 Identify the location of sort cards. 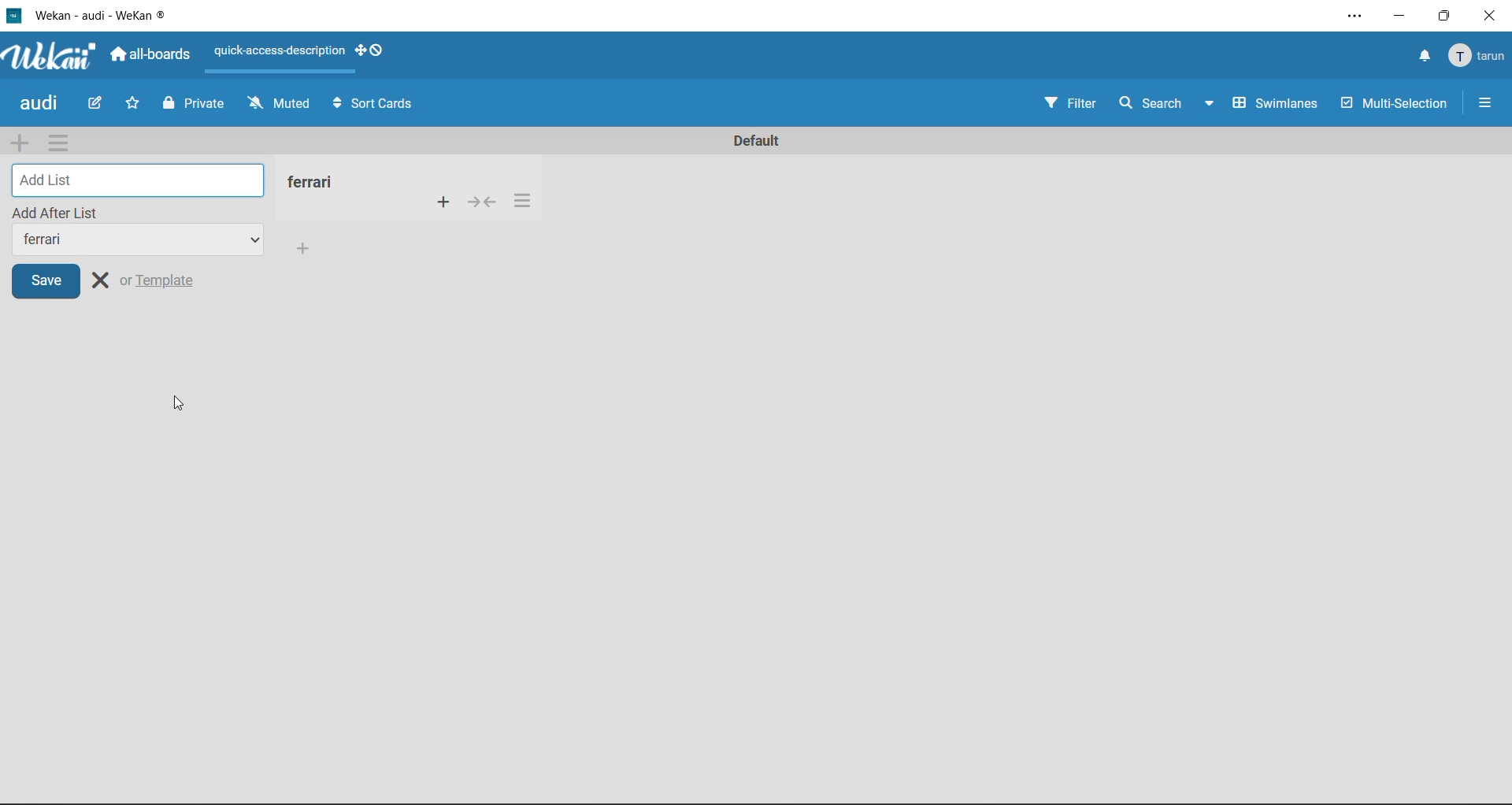
(384, 106).